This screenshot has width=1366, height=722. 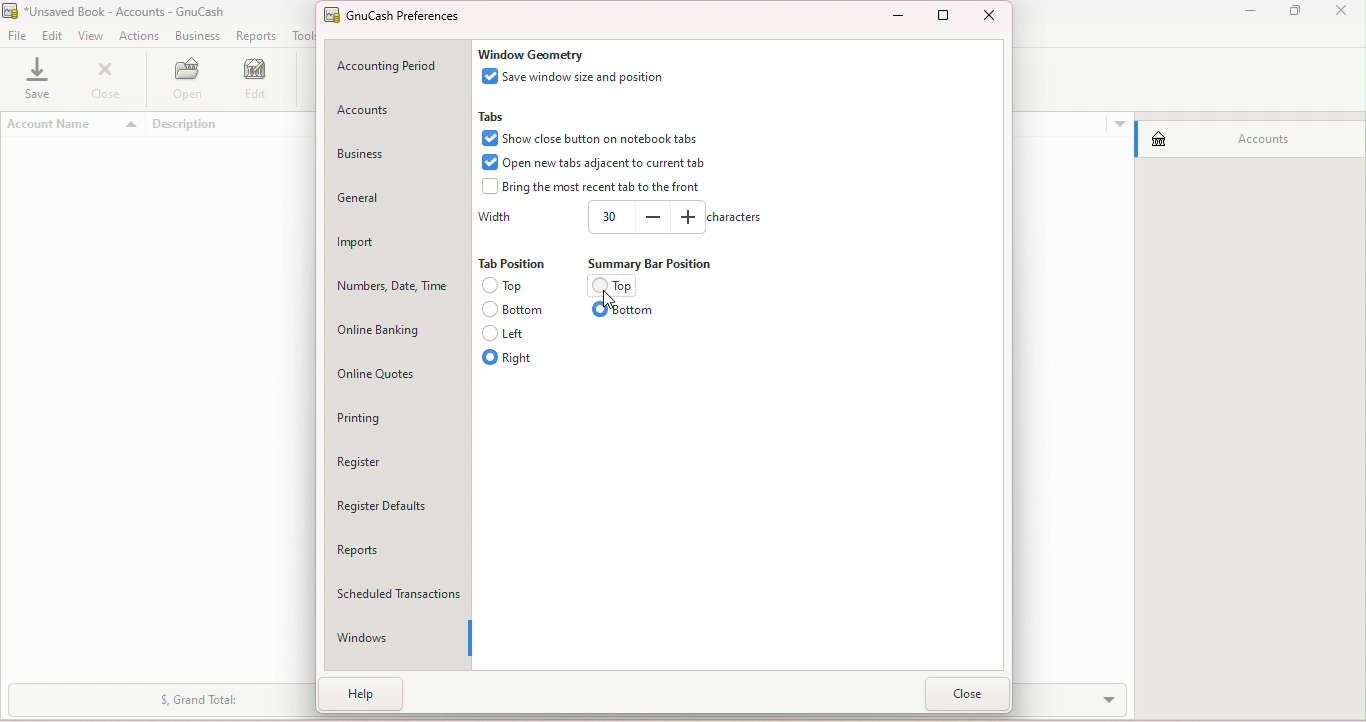 I want to click on Show close button on notebooks tab, so click(x=598, y=138).